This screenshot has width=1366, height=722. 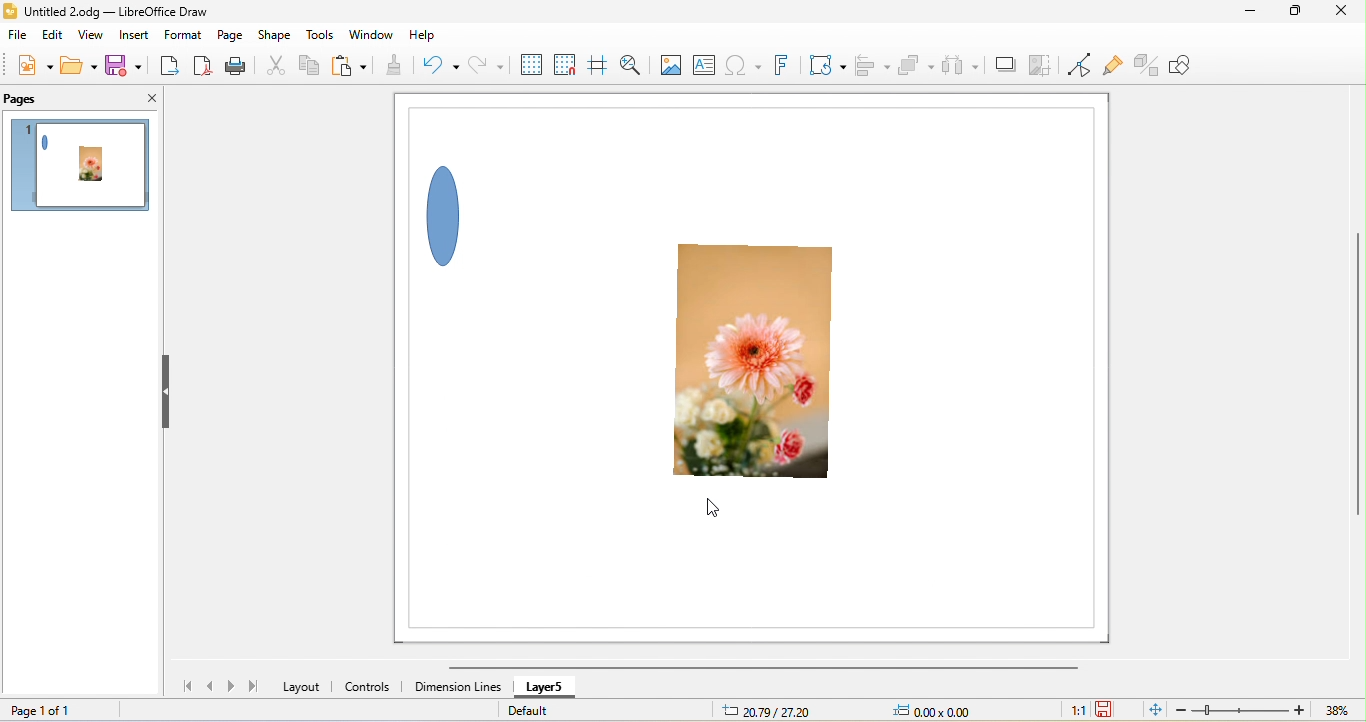 I want to click on default, so click(x=541, y=709).